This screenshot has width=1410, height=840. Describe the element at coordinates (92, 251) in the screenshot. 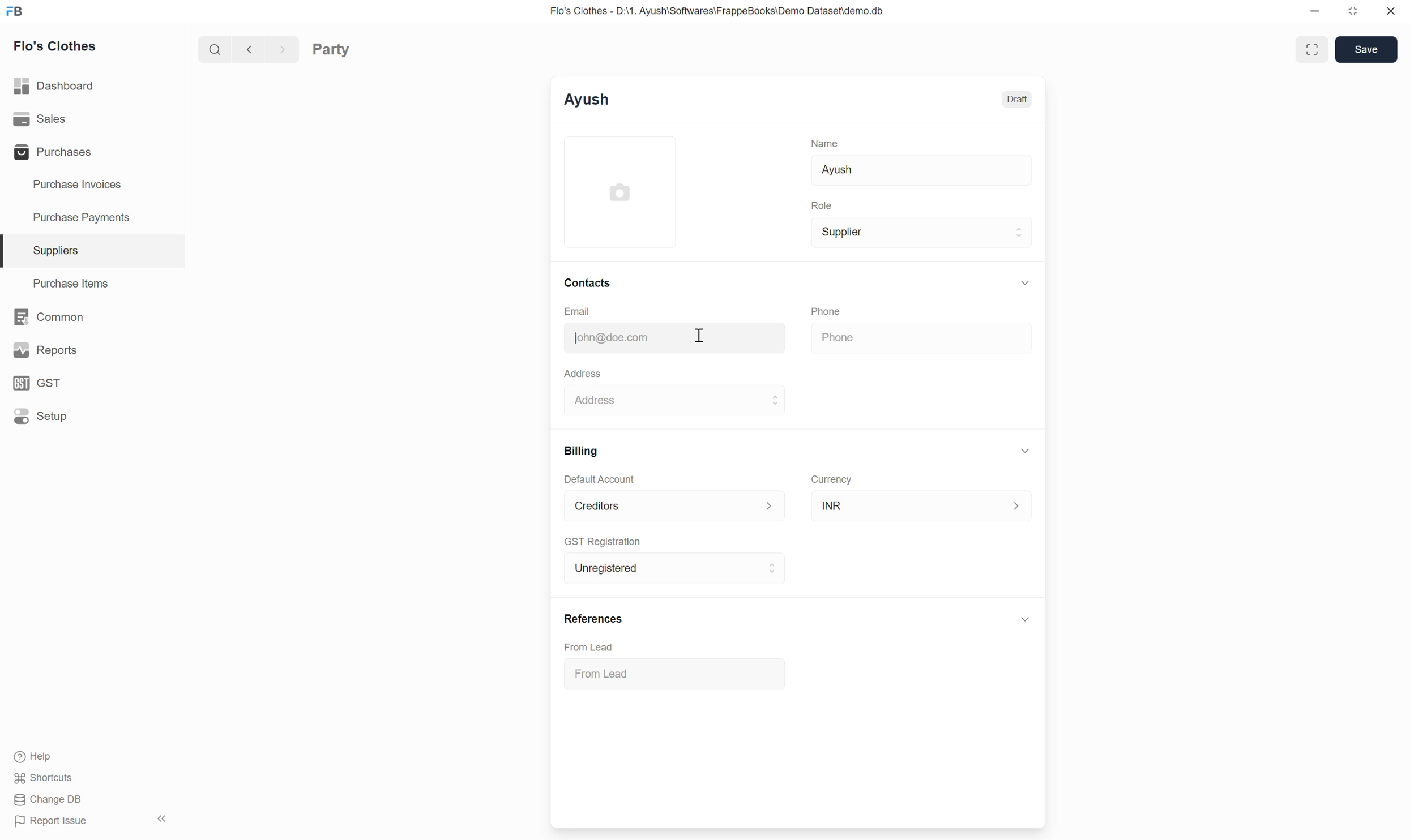

I see `Suppliers` at that location.